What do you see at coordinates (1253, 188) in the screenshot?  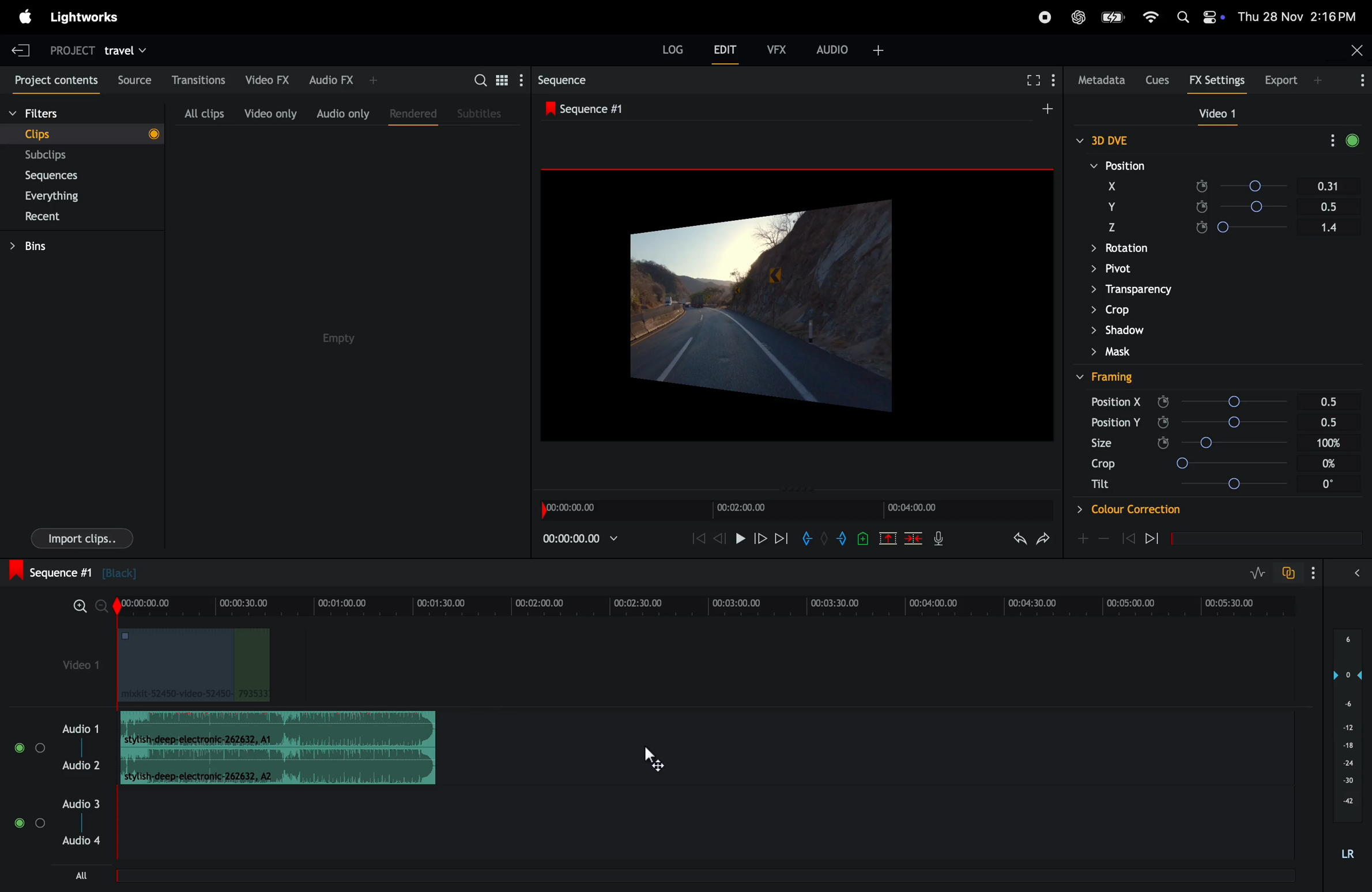 I see `angle` at bounding box center [1253, 188].